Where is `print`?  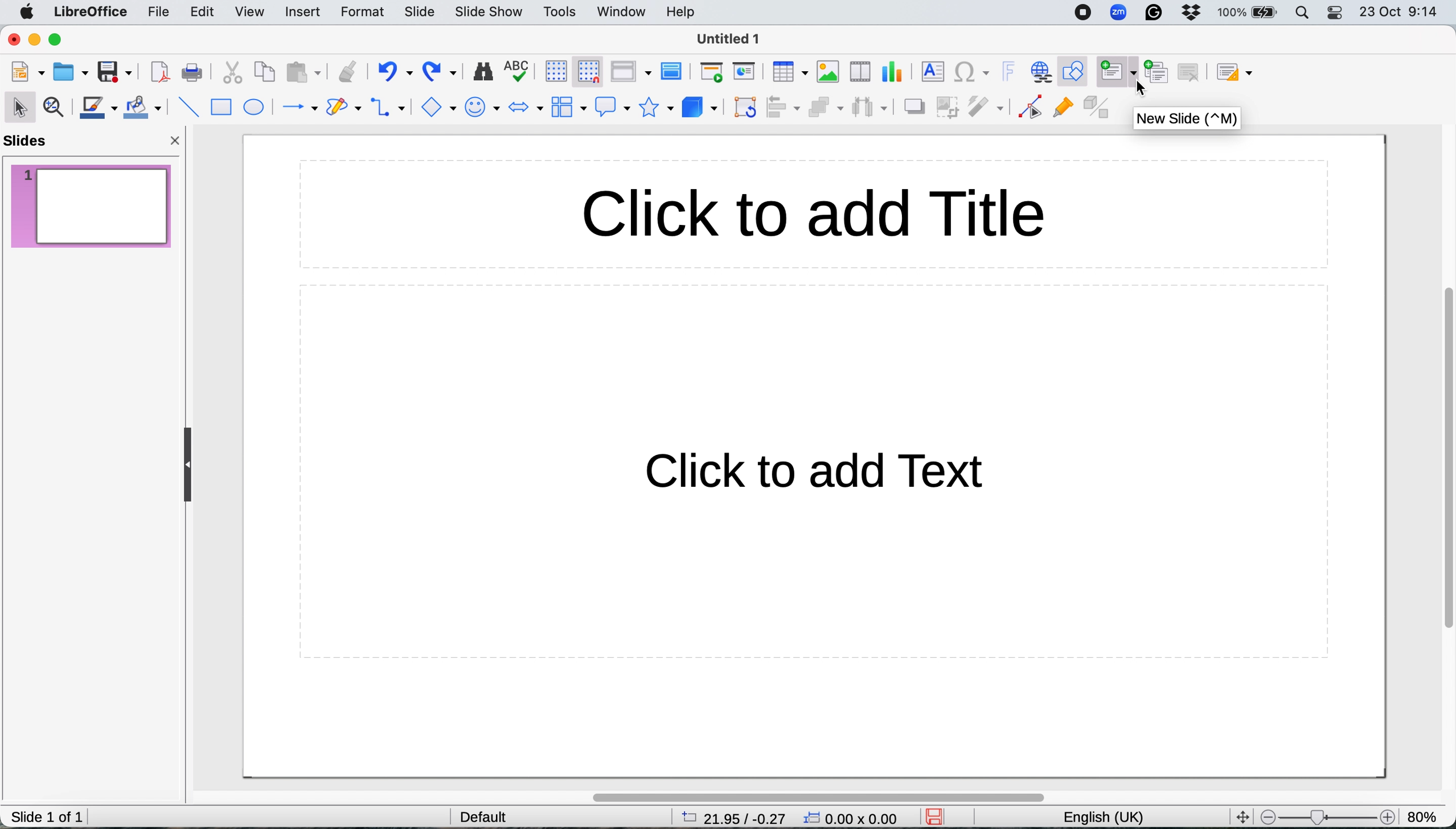 print is located at coordinates (195, 74).